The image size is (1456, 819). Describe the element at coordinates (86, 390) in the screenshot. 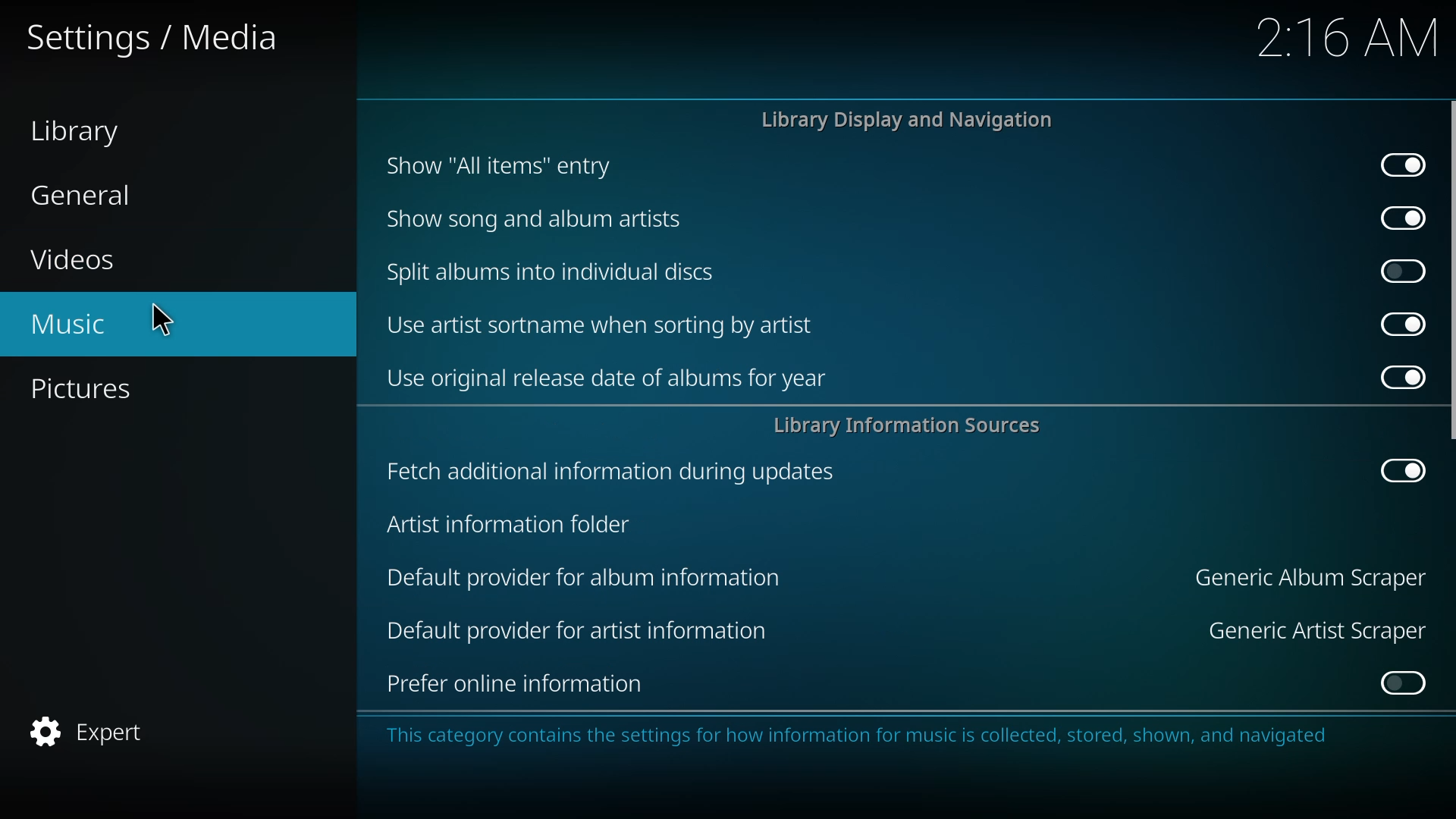

I see `pictures` at that location.